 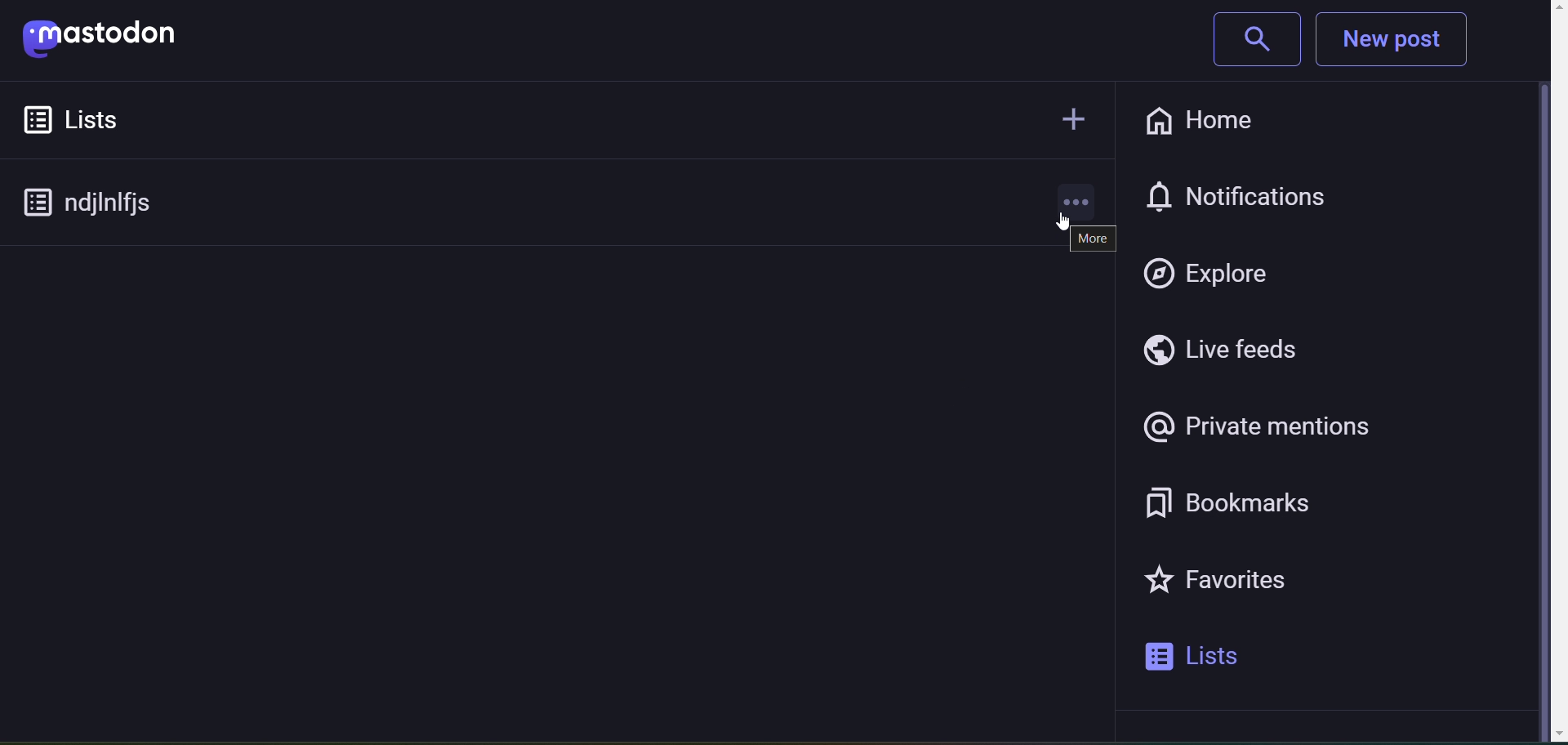 I want to click on private mentions, so click(x=1259, y=428).